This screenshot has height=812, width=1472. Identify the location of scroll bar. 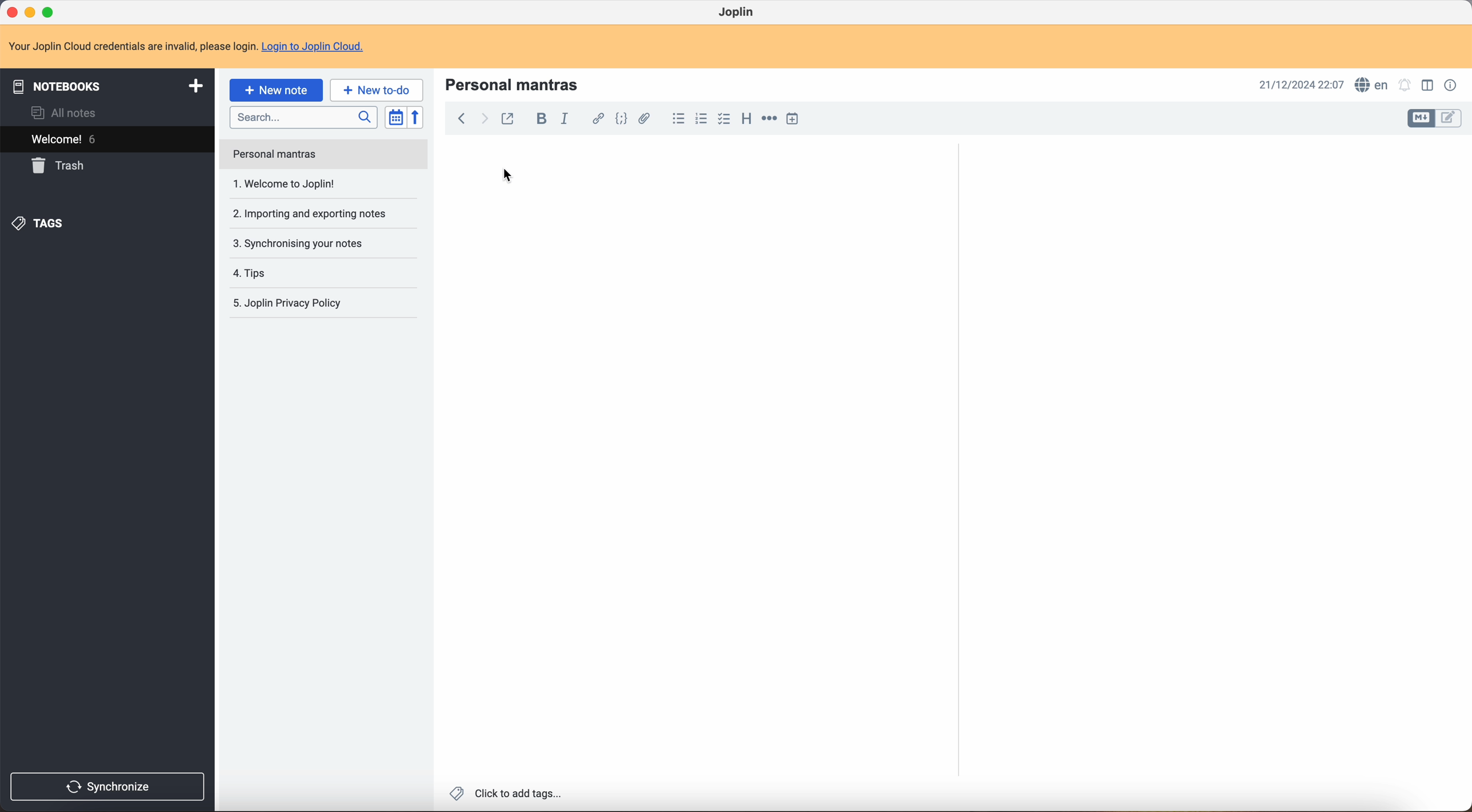
(1463, 360).